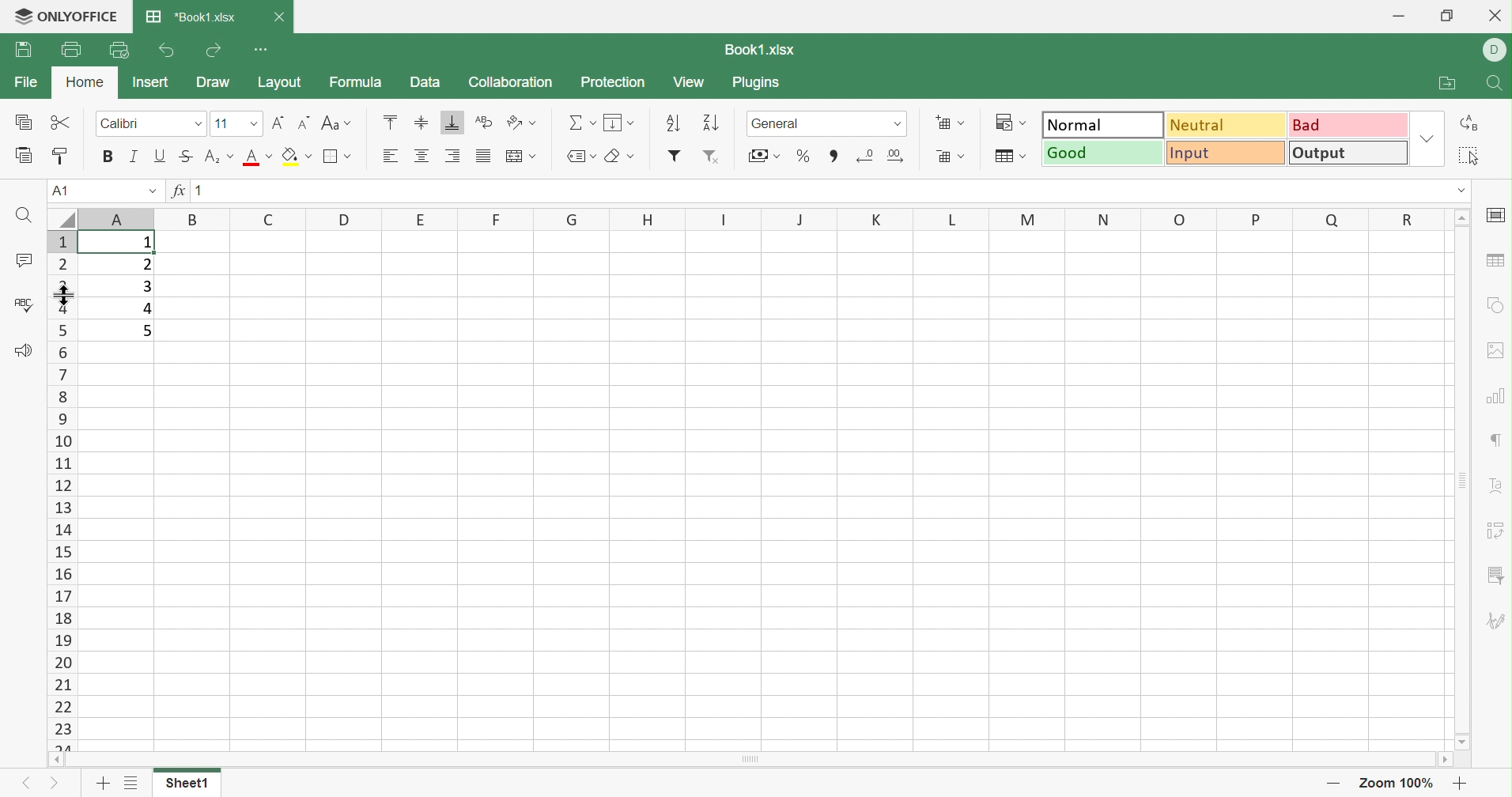 This screenshot has height=797, width=1512. I want to click on Table settings, so click(1494, 263).